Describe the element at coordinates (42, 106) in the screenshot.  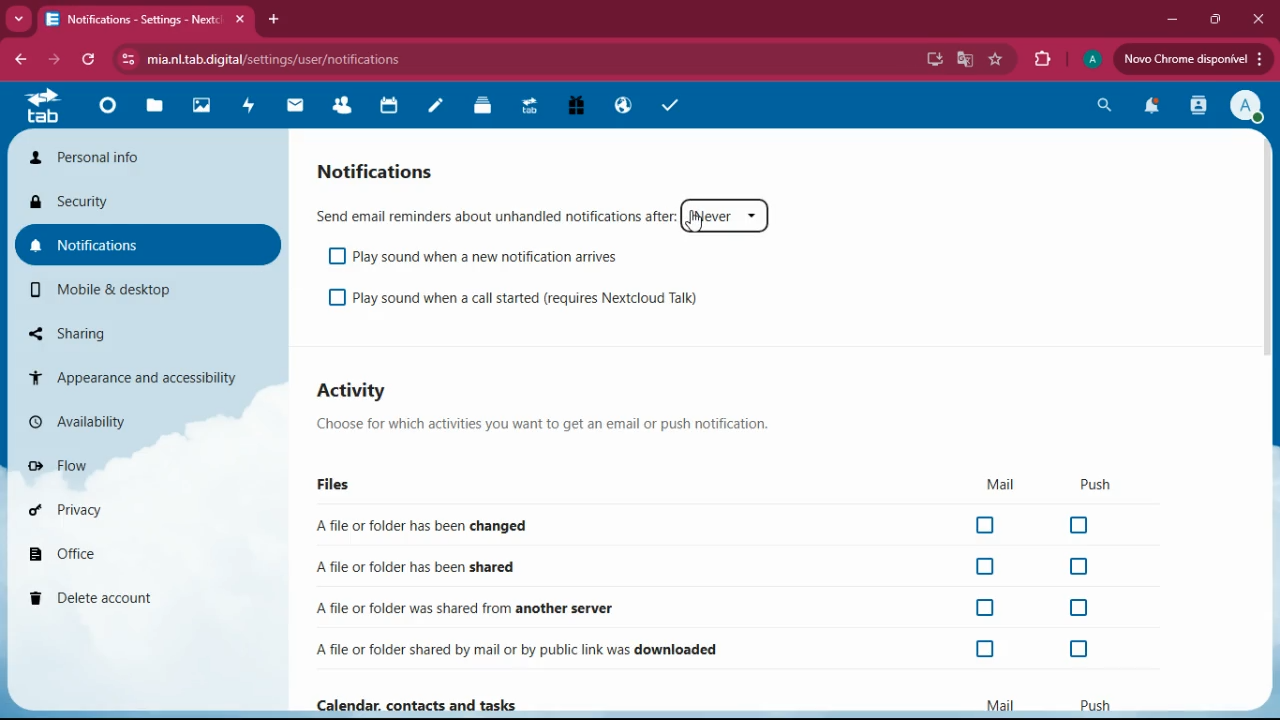
I see `tab` at that location.